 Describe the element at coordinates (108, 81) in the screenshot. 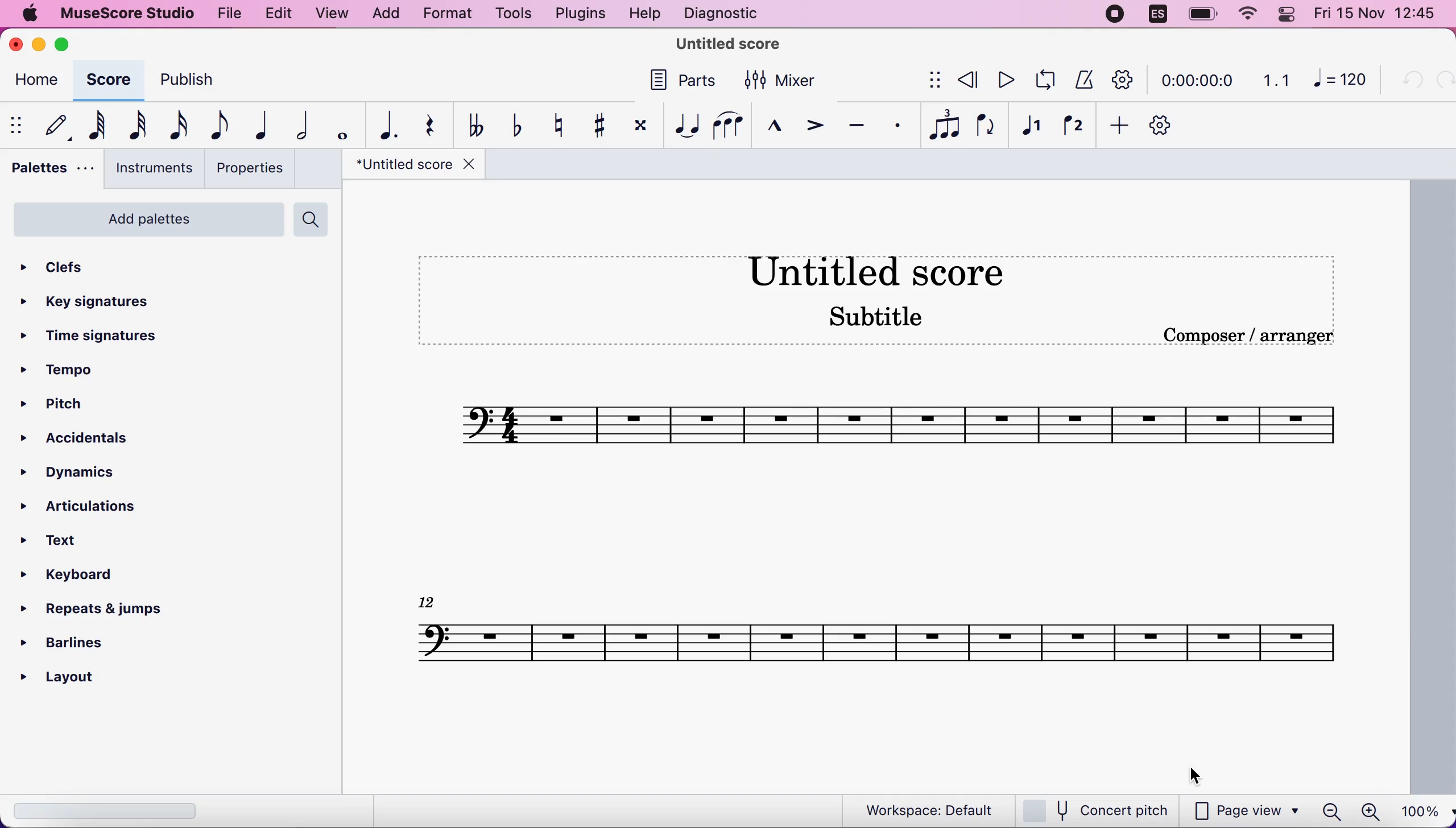

I see `score` at that location.